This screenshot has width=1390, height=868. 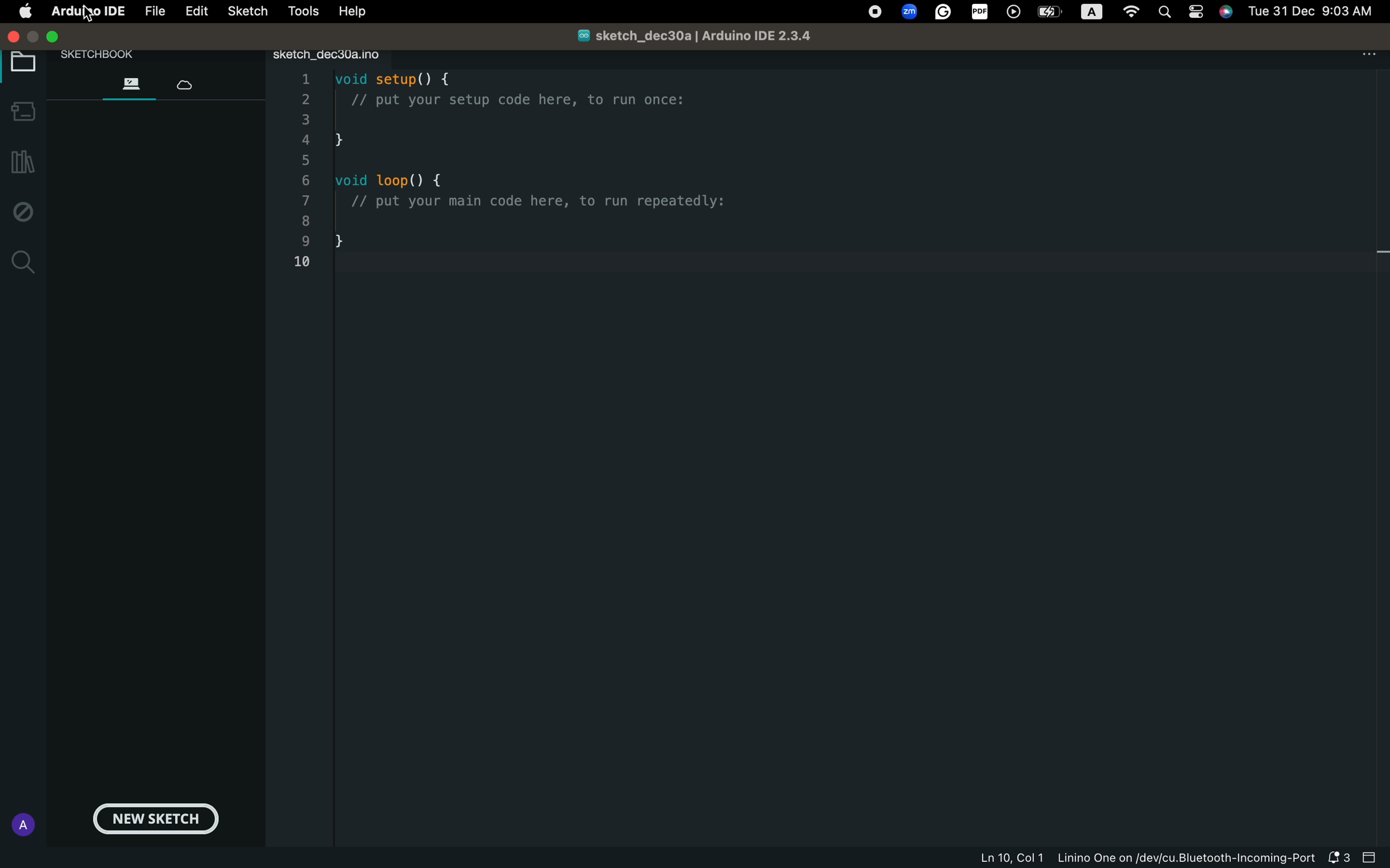 What do you see at coordinates (20, 824) in the screenshot?
I see `profile` at bounding box center [20, 824].